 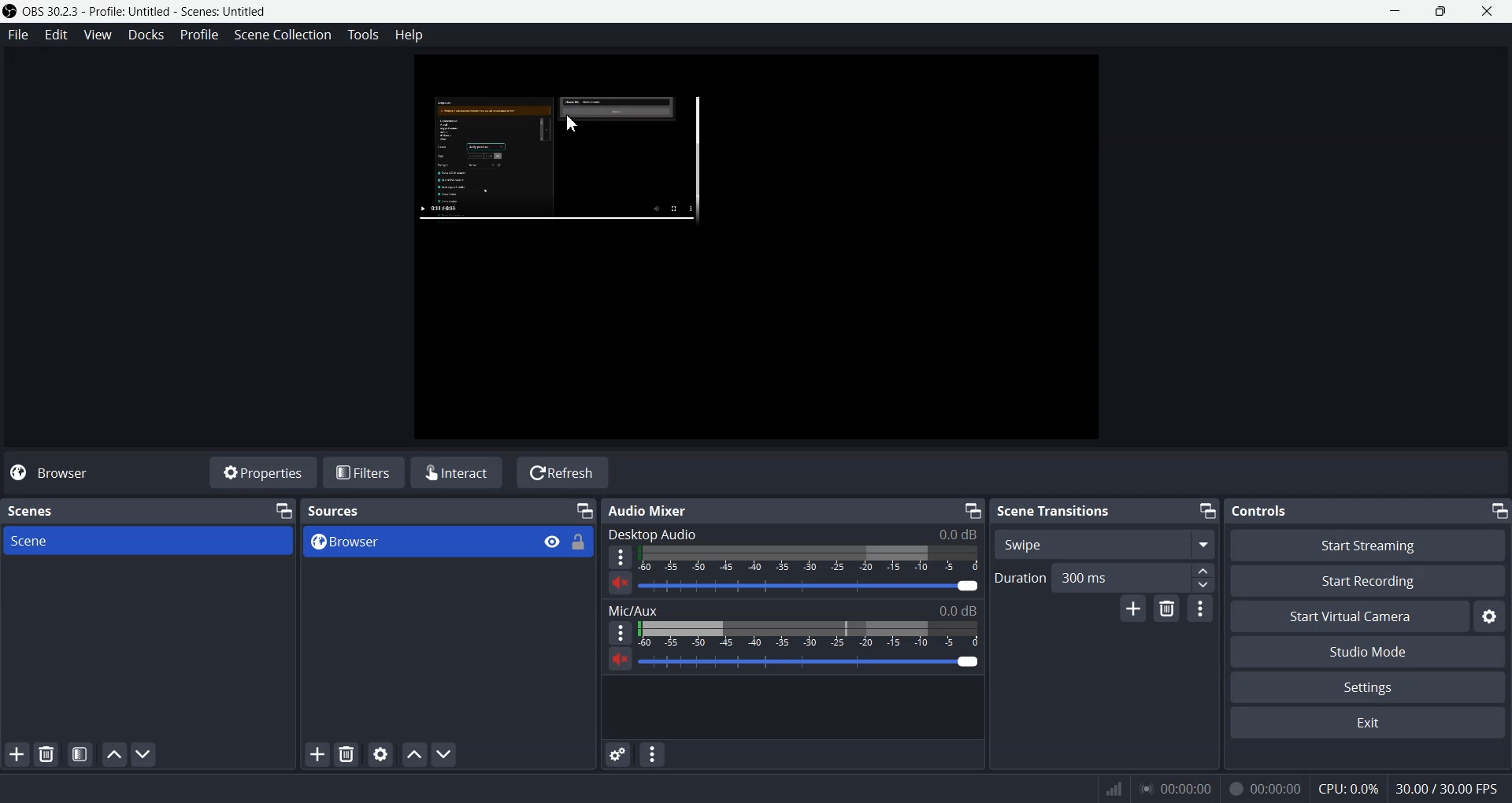 I want to click on Minimize, so click(x=1395, y=11).